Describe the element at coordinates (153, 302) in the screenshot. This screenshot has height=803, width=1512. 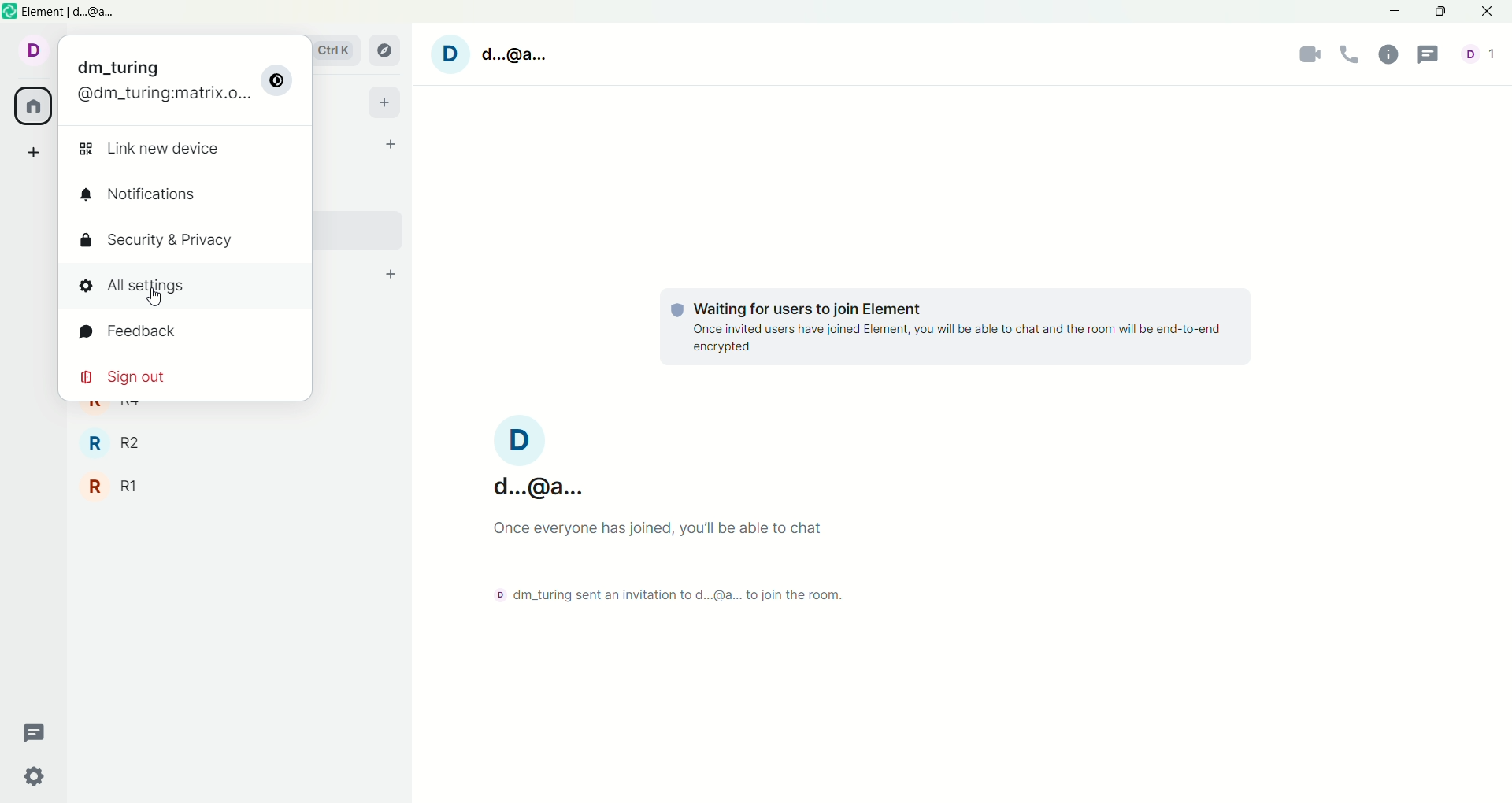
I see `cursor` at that location.